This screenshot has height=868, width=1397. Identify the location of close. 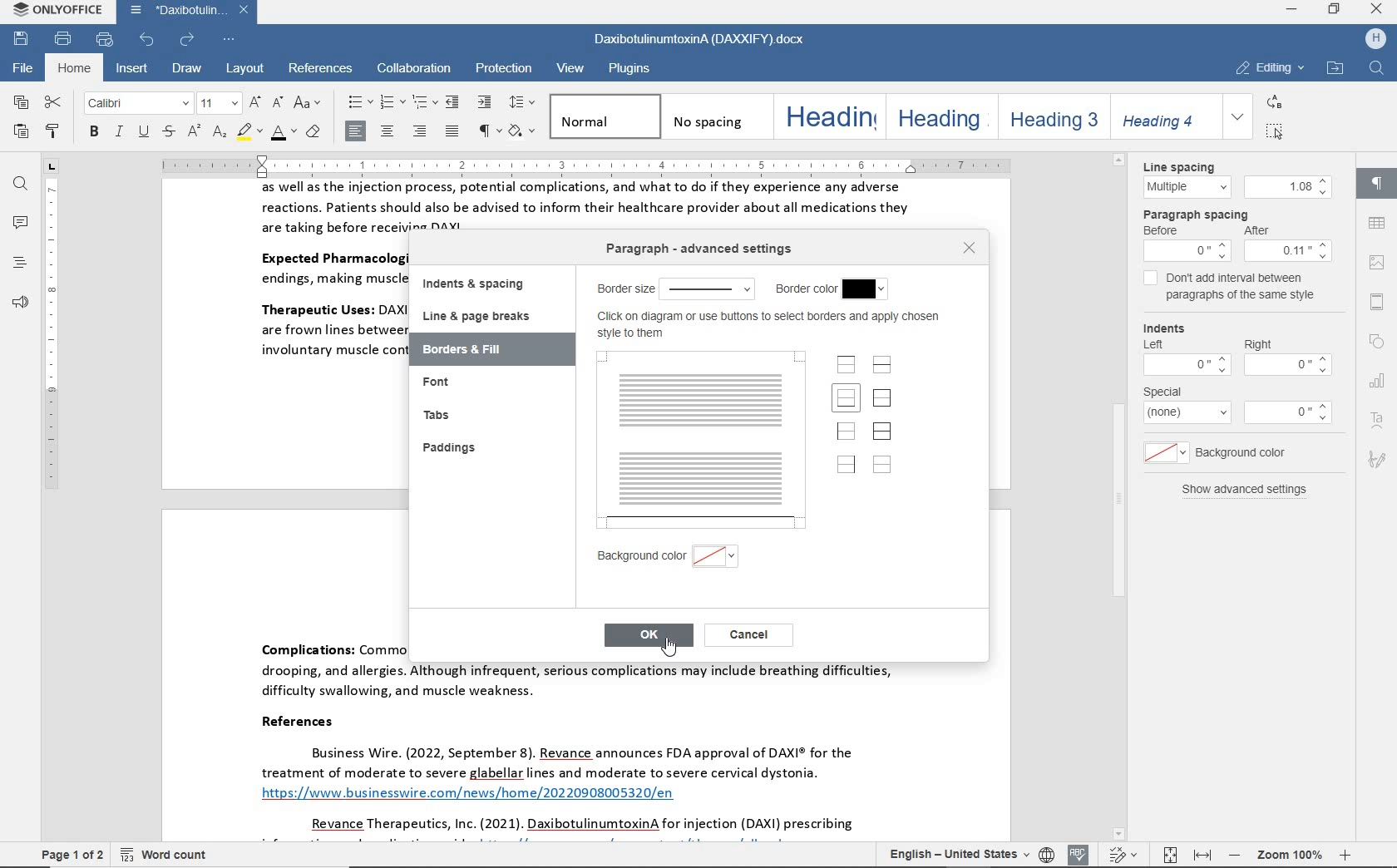
(970, 249).